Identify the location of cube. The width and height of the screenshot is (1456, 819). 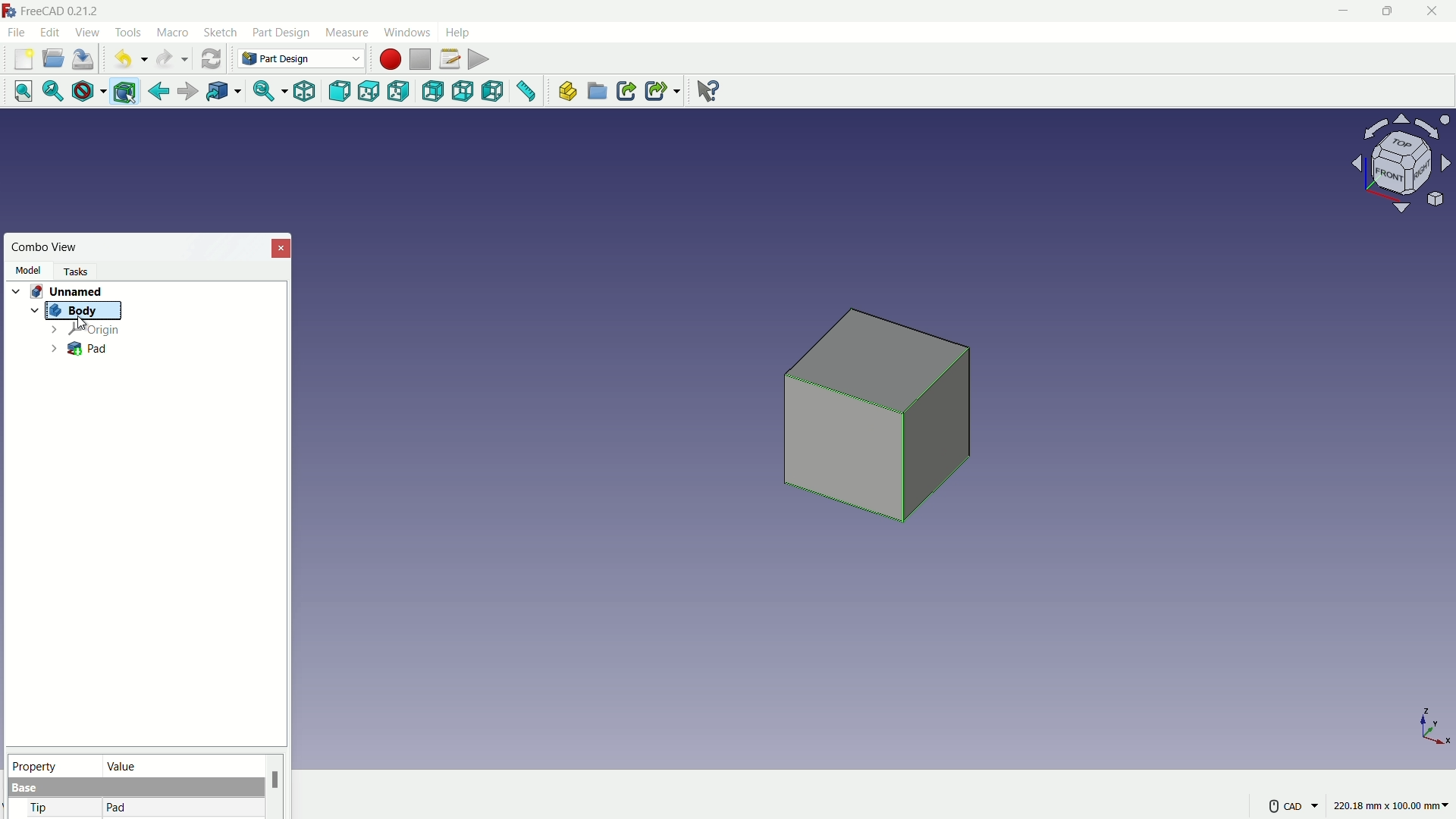
(882, 423).